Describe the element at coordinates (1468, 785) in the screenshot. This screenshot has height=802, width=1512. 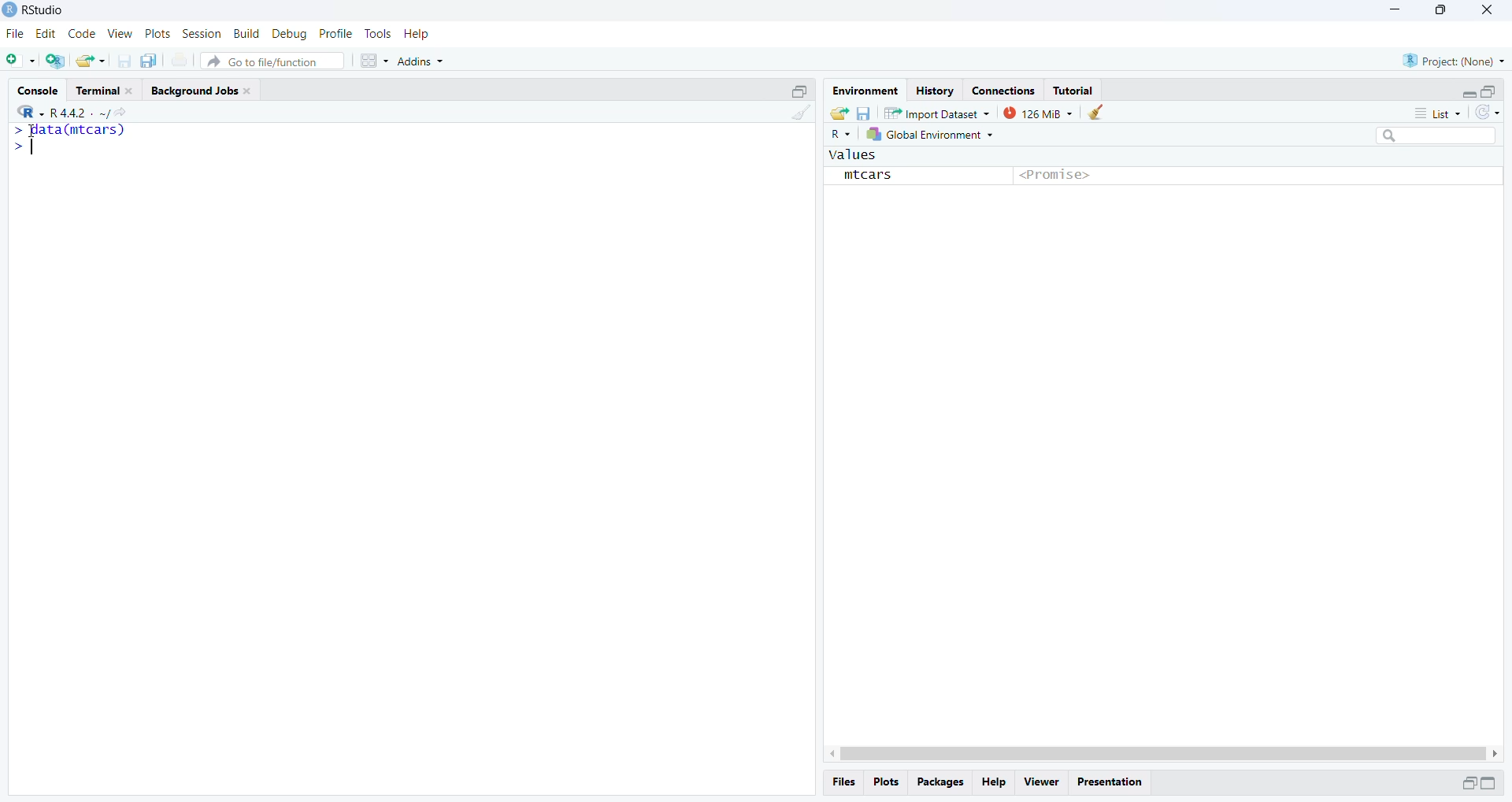
I see `minimize` at that location.